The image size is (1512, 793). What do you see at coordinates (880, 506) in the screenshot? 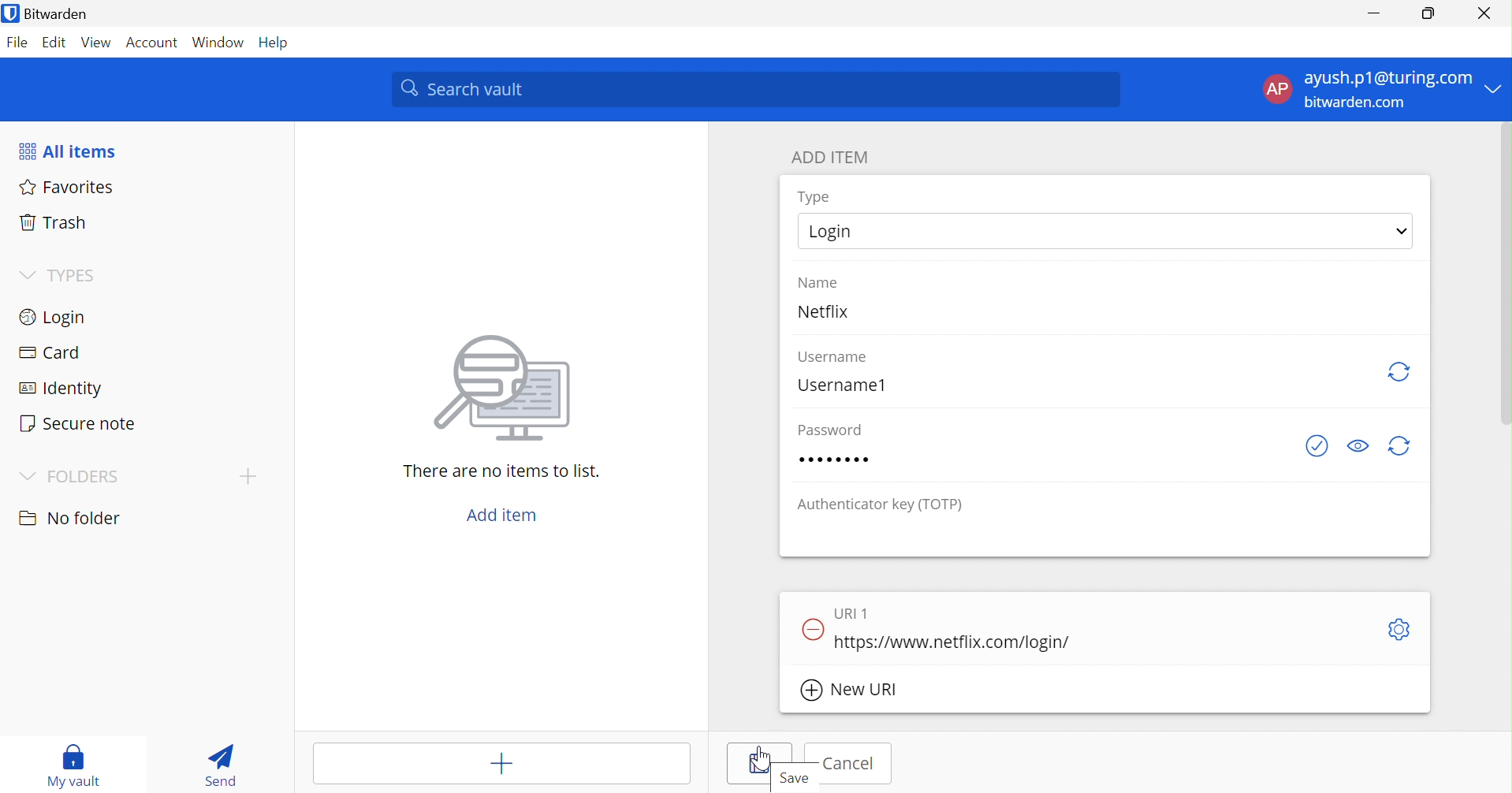
I see `Authentication key (TOTP)` at bounding box center [880, 506].